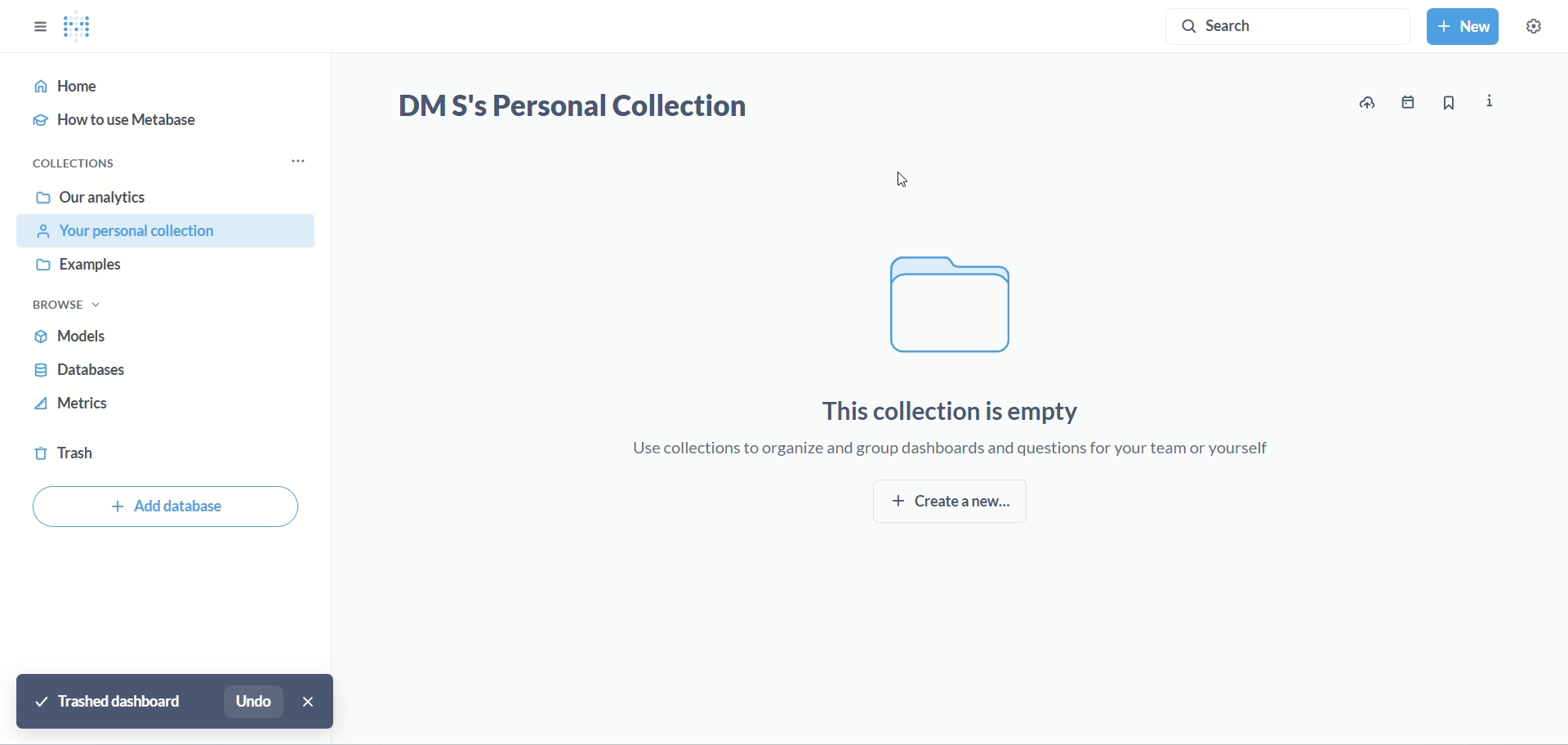  Describe the element at coordinates (1542, 32) in the screenshot. I see `settings` at that location.